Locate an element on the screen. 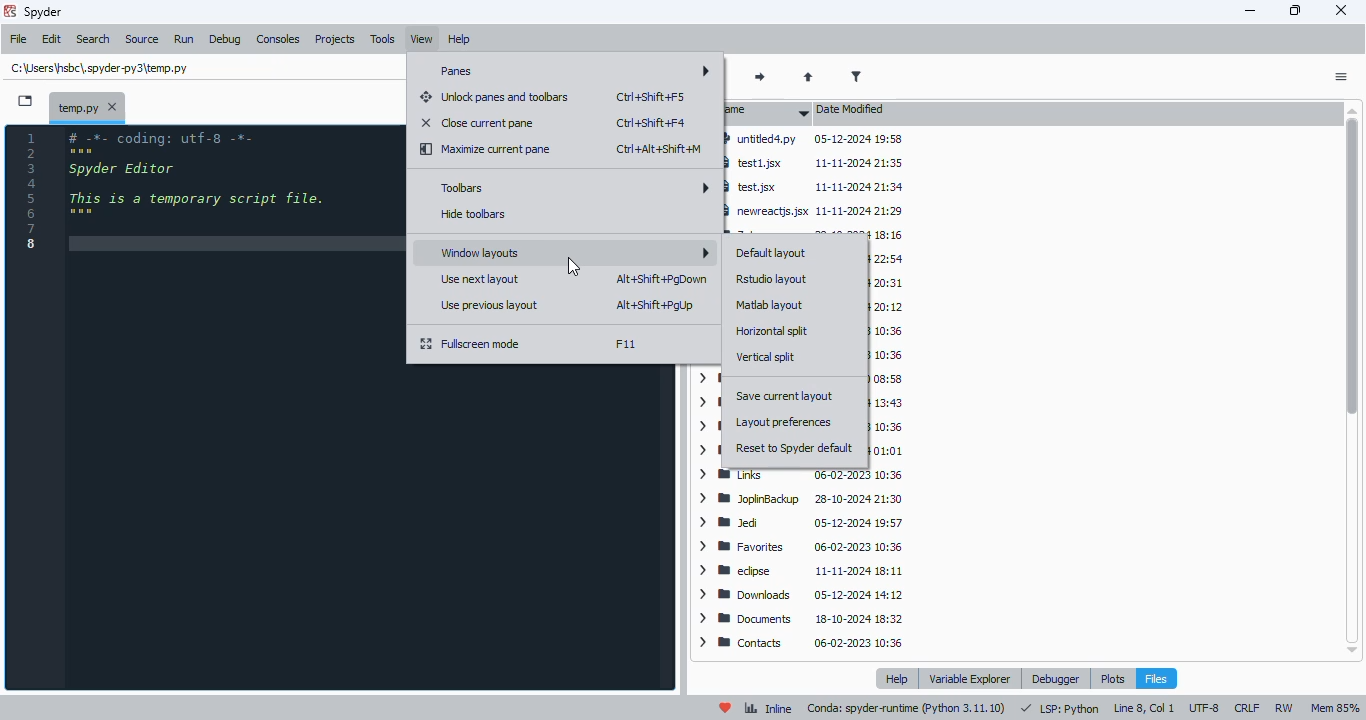 The image size is (1366, 720). run is located at coordinates (185, 40).